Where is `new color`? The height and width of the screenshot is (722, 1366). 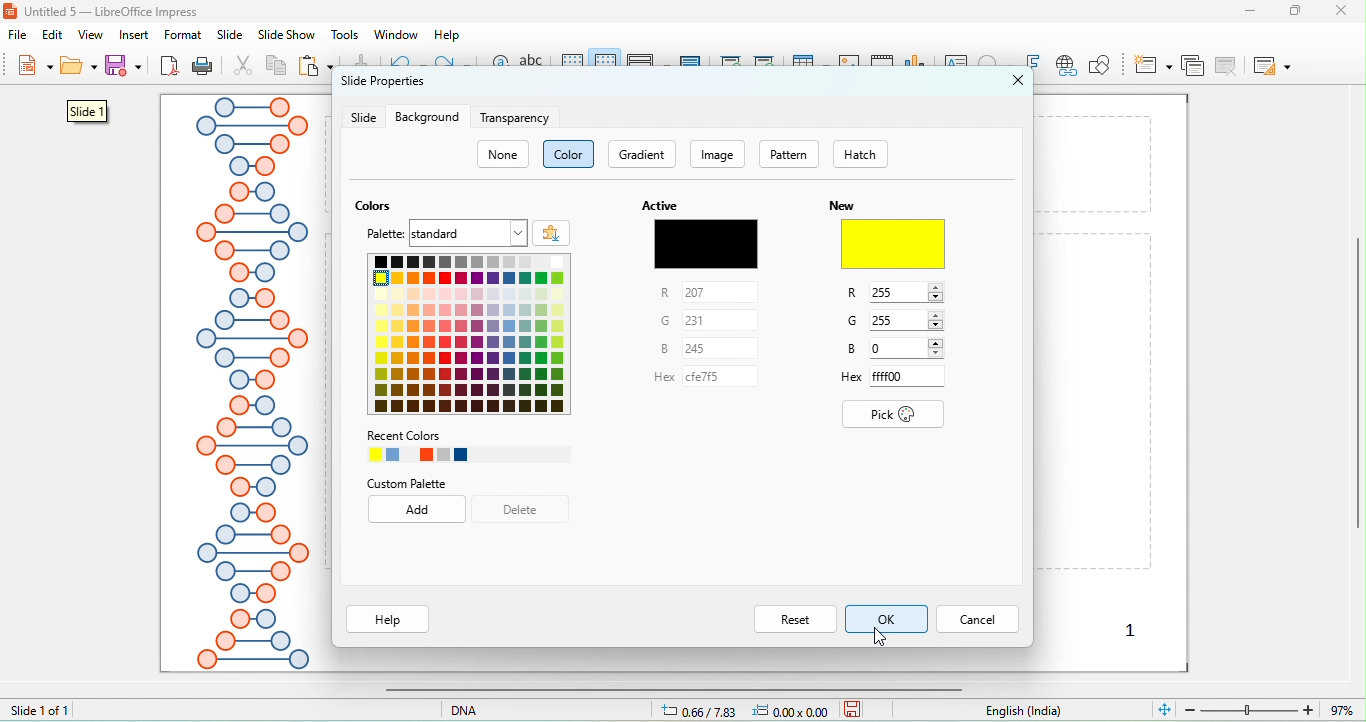 new color is located at coordinates (894, 245).